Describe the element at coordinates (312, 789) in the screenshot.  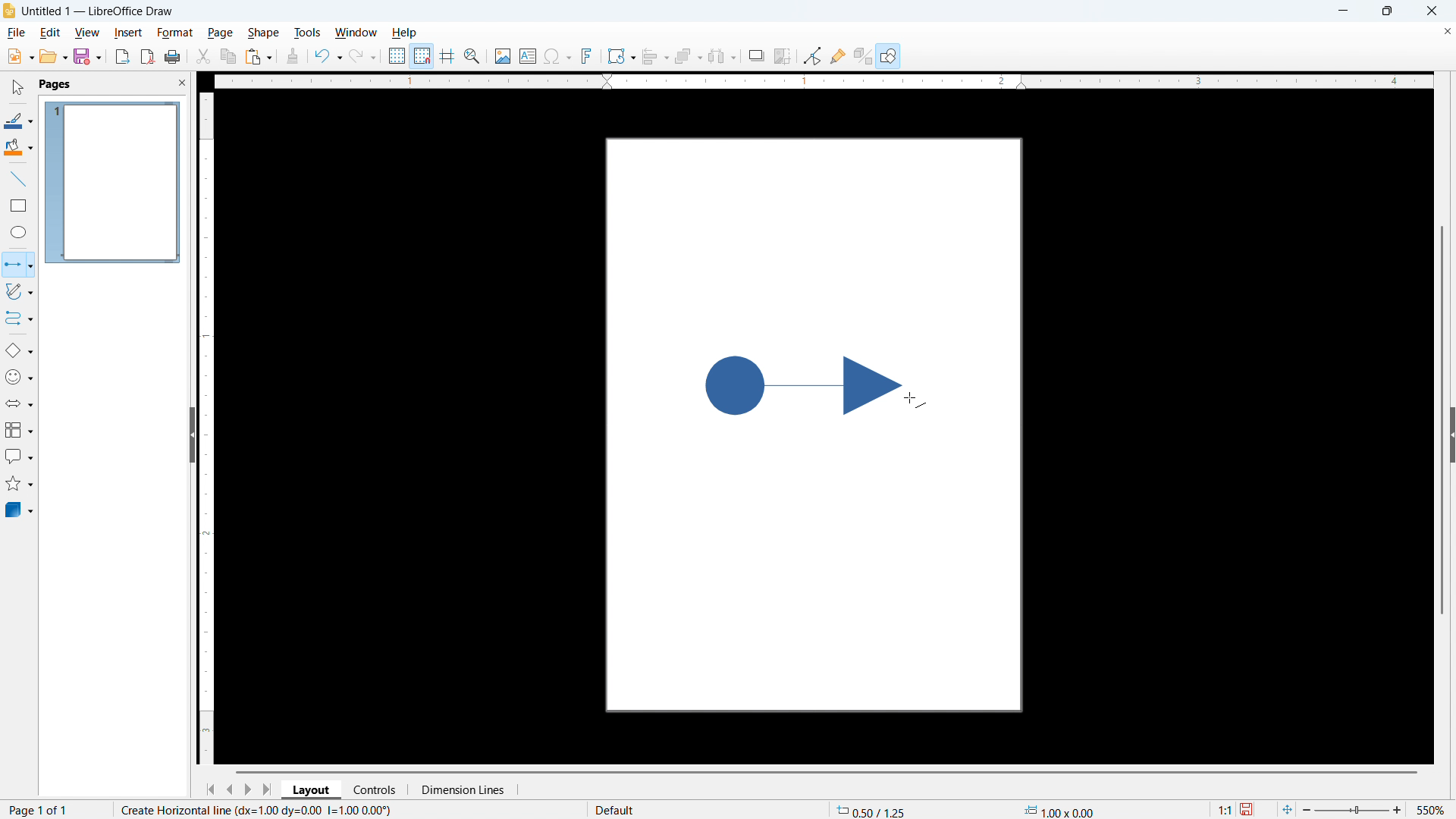
I see `Layout ` at that location.